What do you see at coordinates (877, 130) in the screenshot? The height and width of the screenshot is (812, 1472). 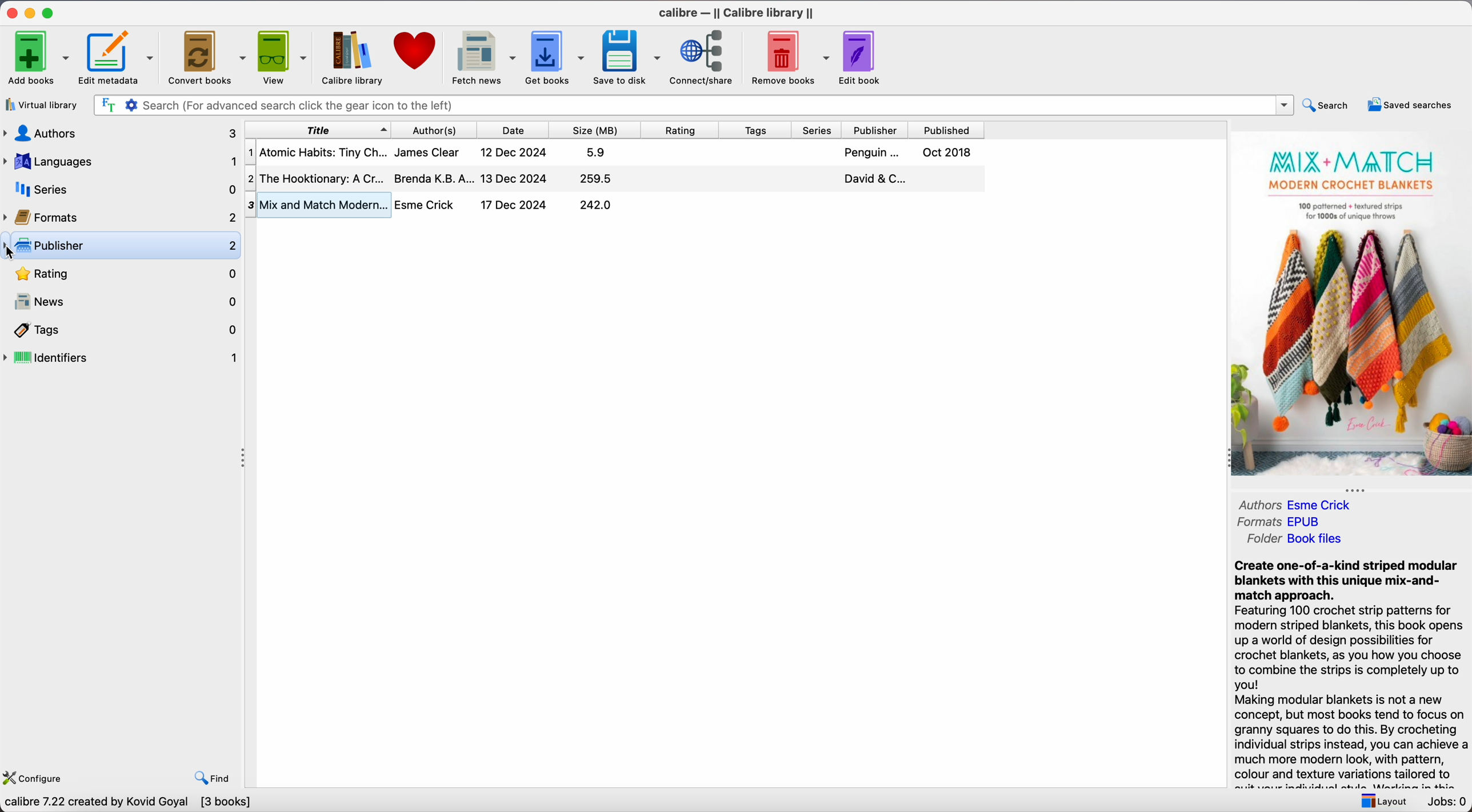 I see `publisher` at bounding box center [877, 130].